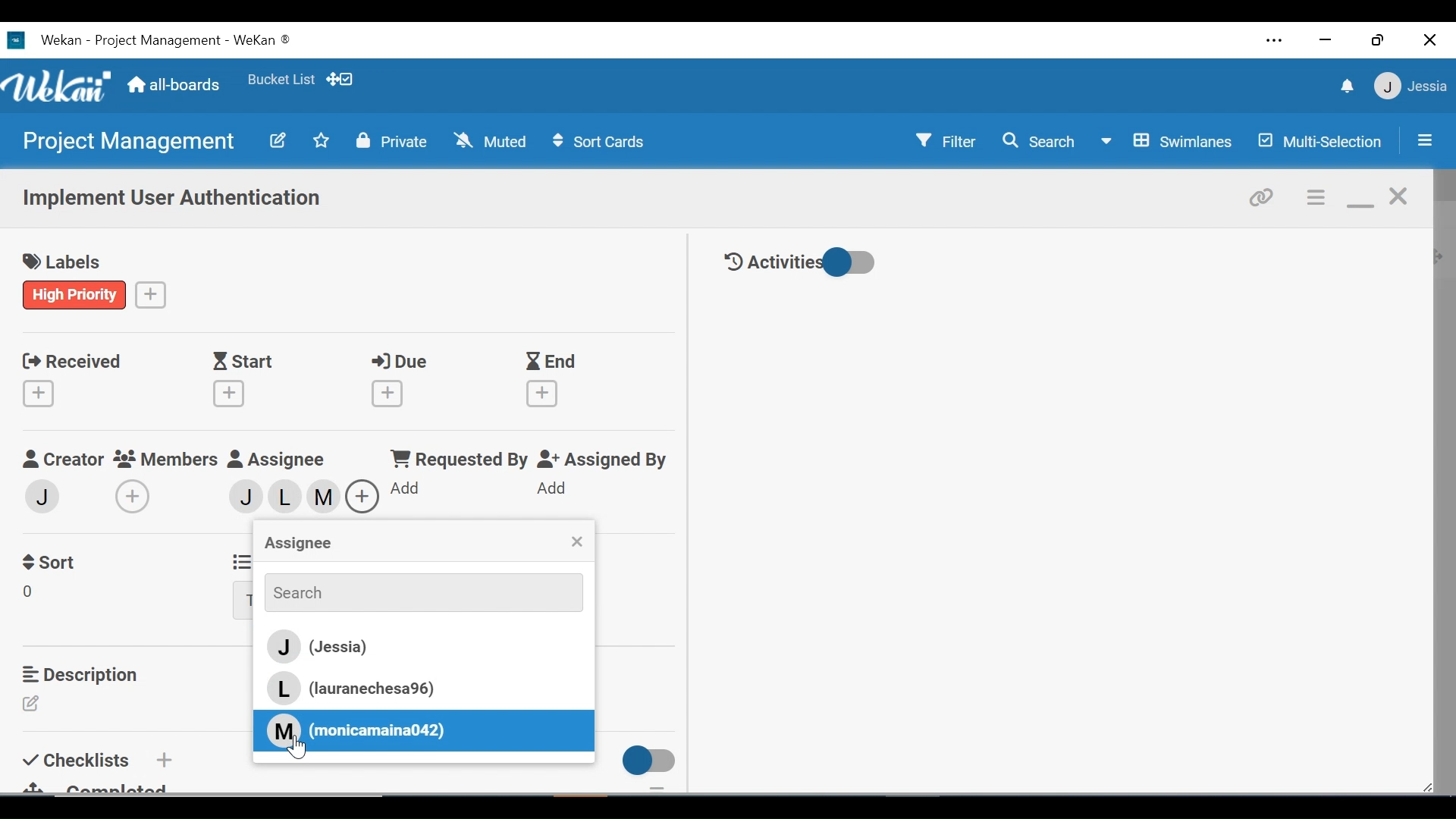  I want to click on create Due Date, so click(388, 394).